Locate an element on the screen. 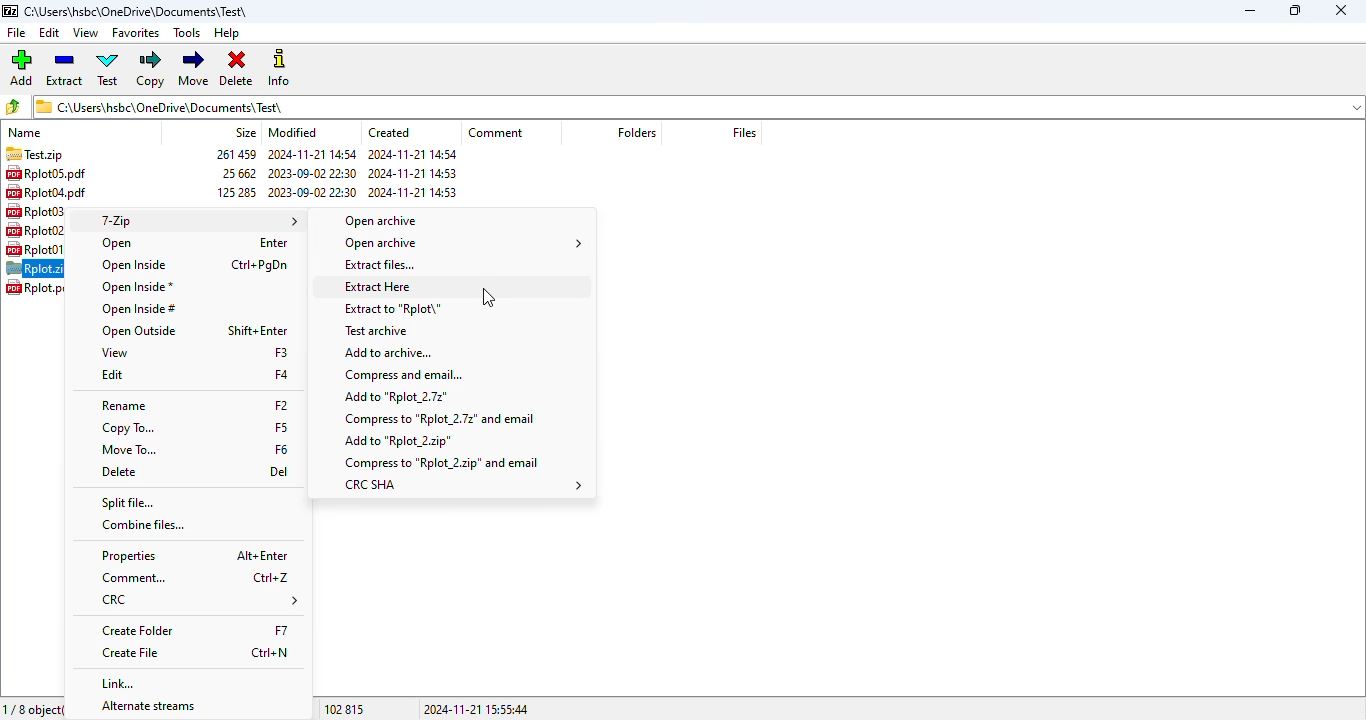 This screenshot has width=1366, height=720. open archive is located at coordinates (386, 220).